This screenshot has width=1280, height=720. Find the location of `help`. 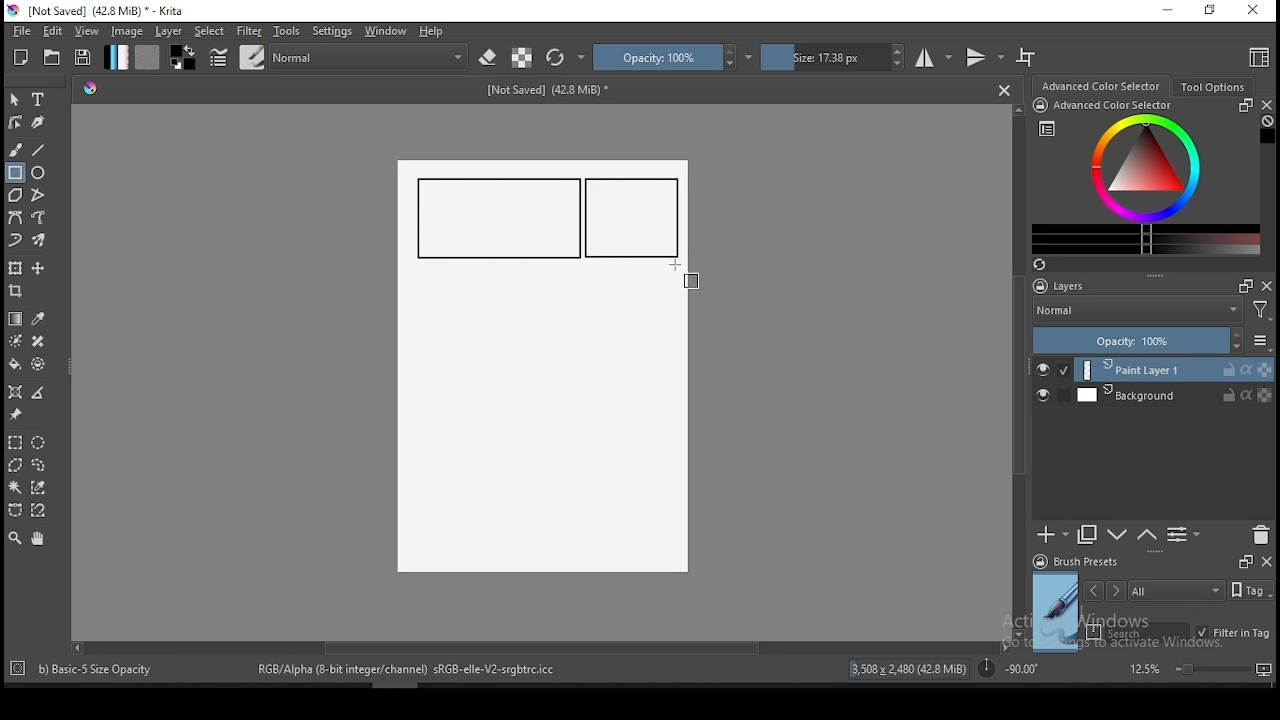

help is located at coordinates (435, 32).